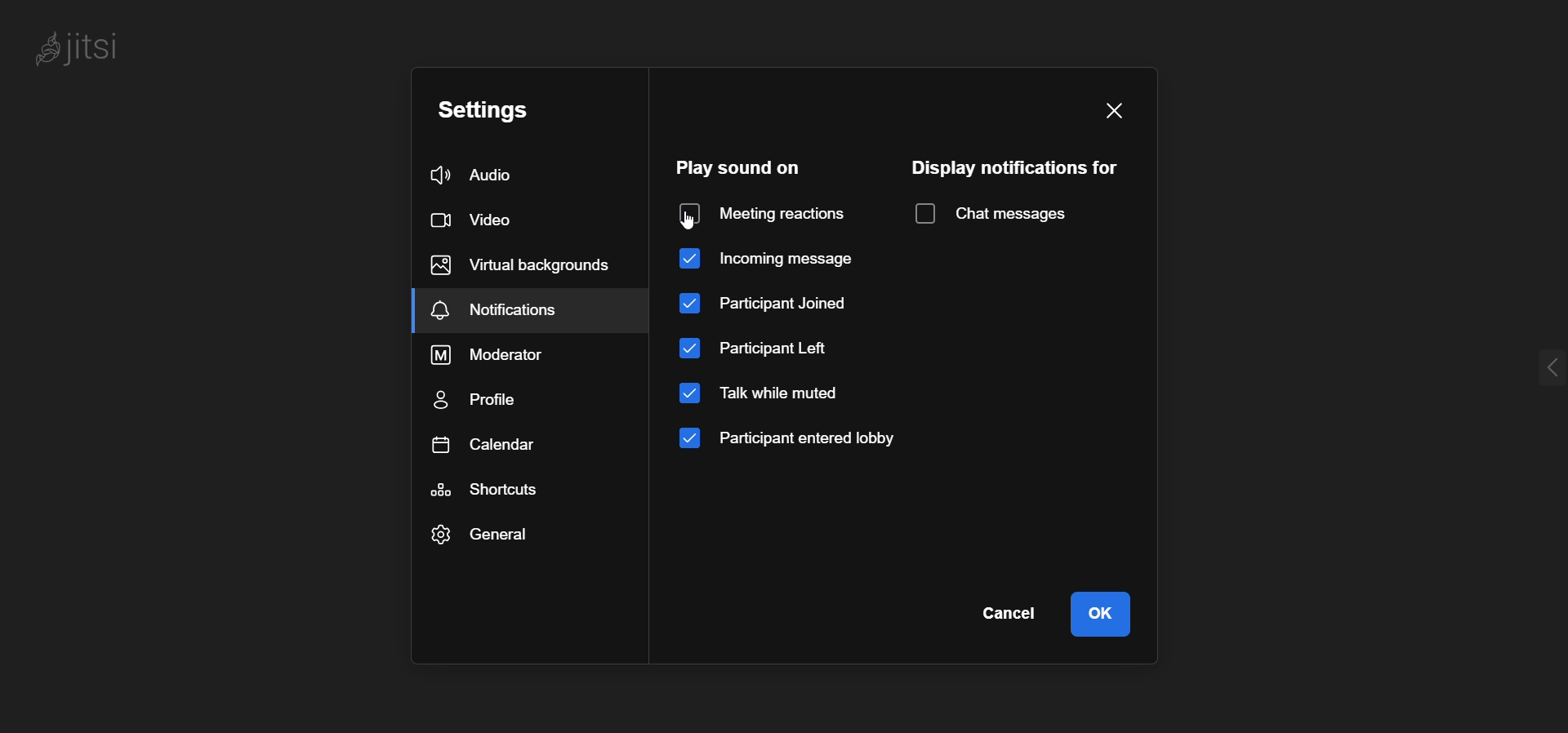 This screenshot has height=733, width=1568. I want to click on calendar, so click(491, 446).